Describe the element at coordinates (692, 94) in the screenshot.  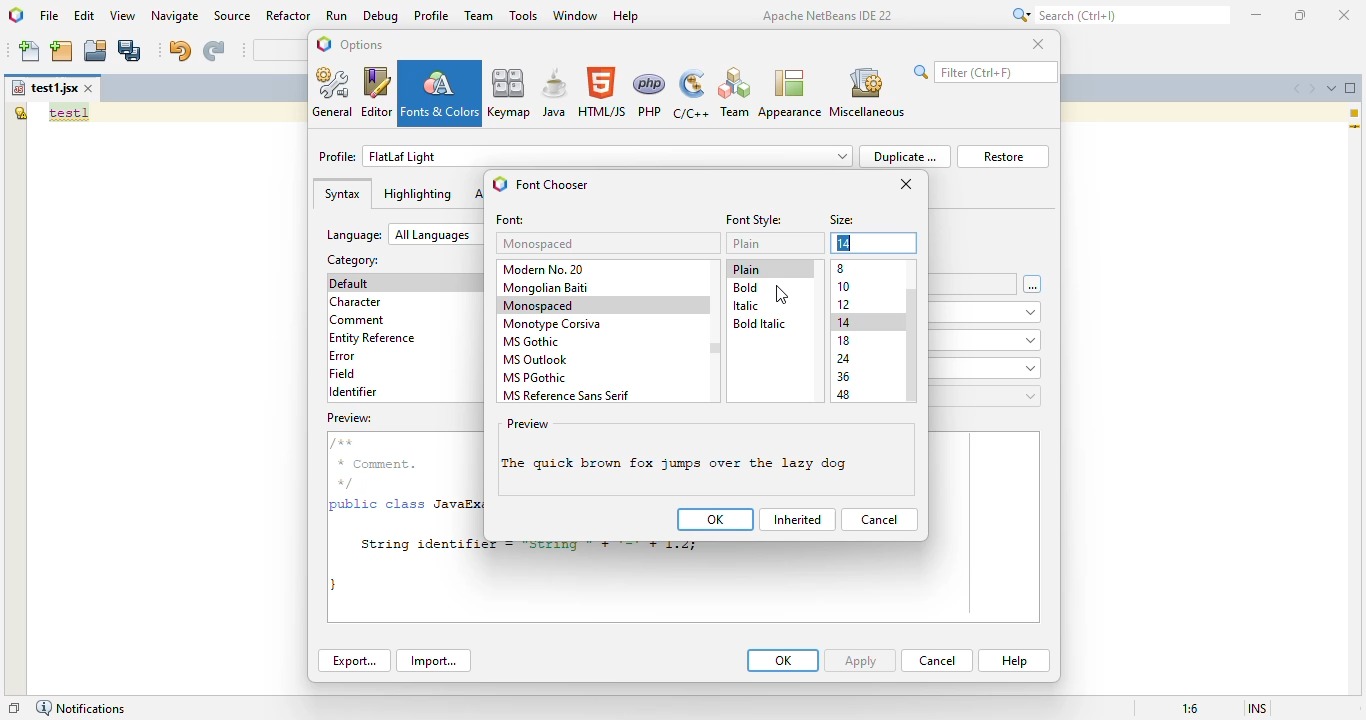
I see `C/C++` at that location.